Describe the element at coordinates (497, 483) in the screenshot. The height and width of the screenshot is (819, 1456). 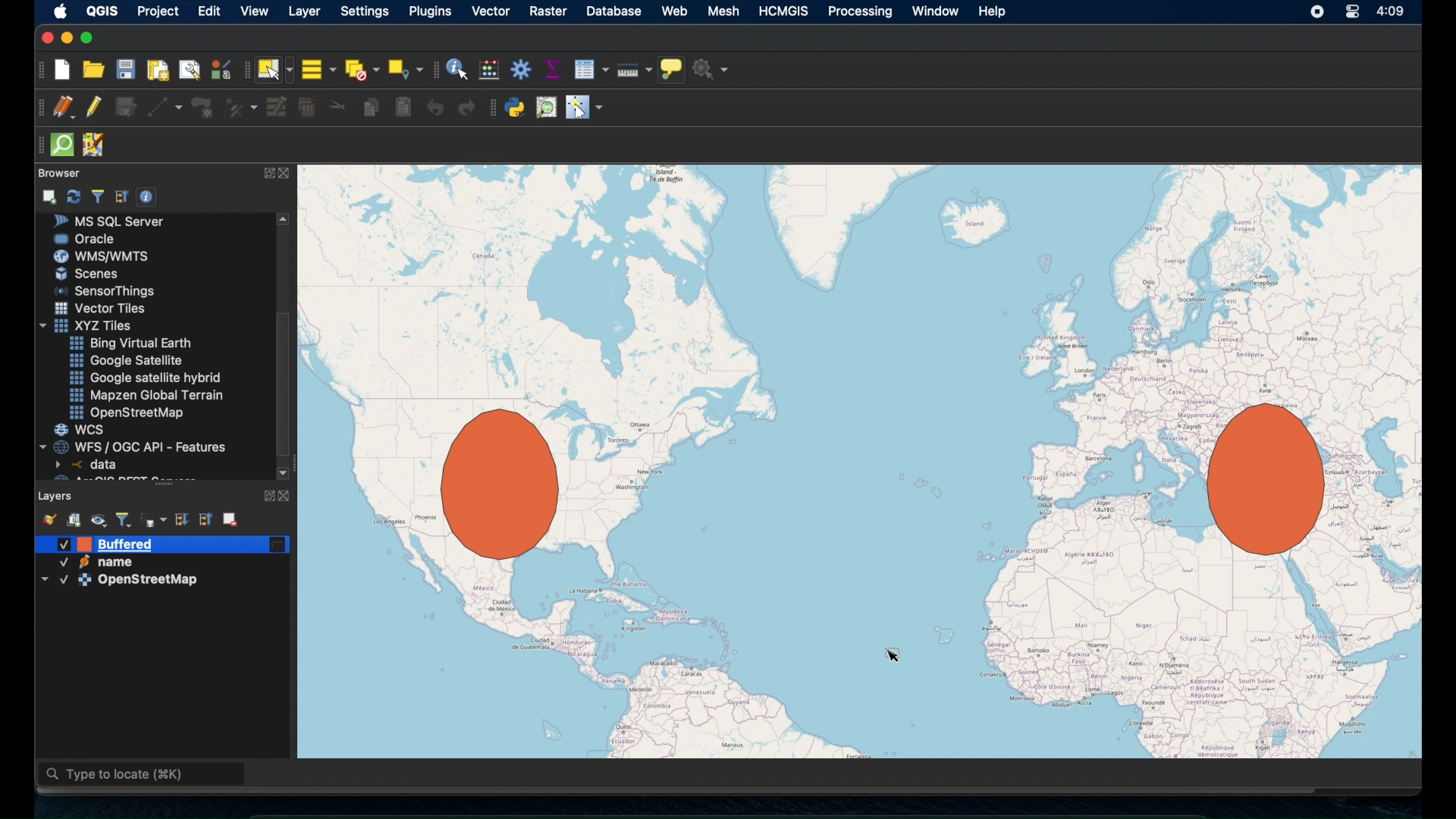
I see `buffer 2` at that location.